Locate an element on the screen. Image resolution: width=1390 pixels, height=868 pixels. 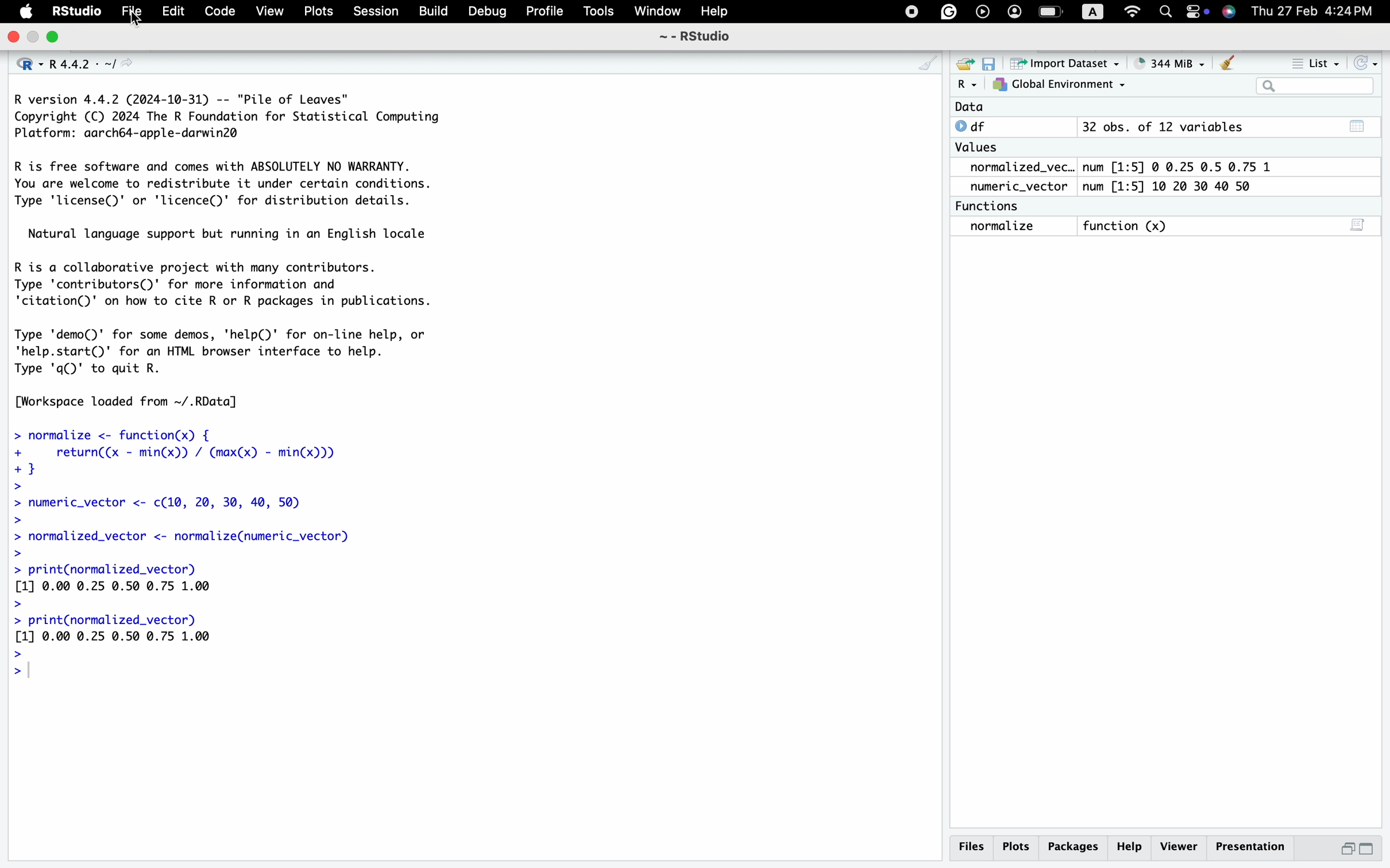
minimize is located at coordinates (53, 37).